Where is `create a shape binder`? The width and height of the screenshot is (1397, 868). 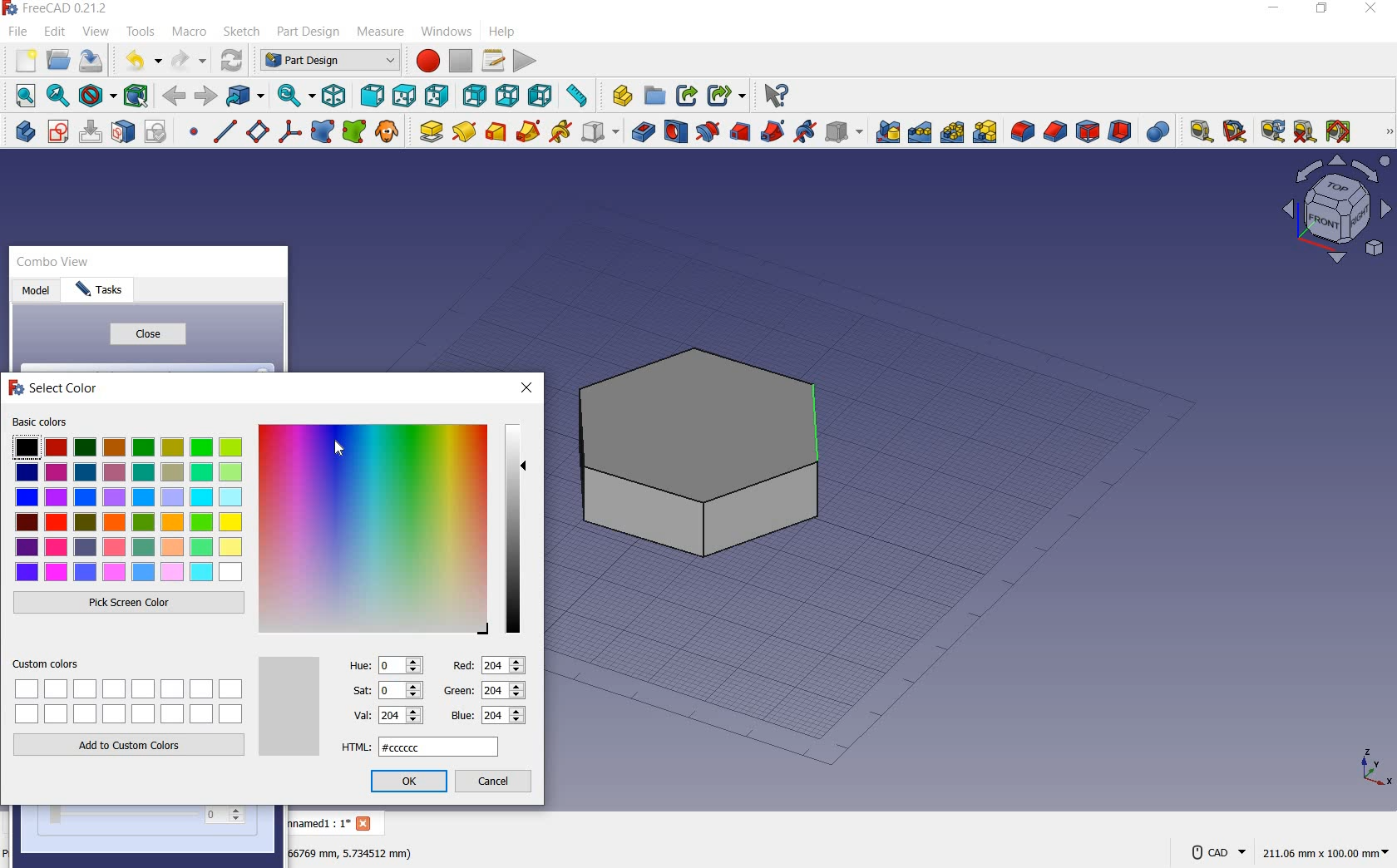 create a shape binder is located at coordinates (323, 133).